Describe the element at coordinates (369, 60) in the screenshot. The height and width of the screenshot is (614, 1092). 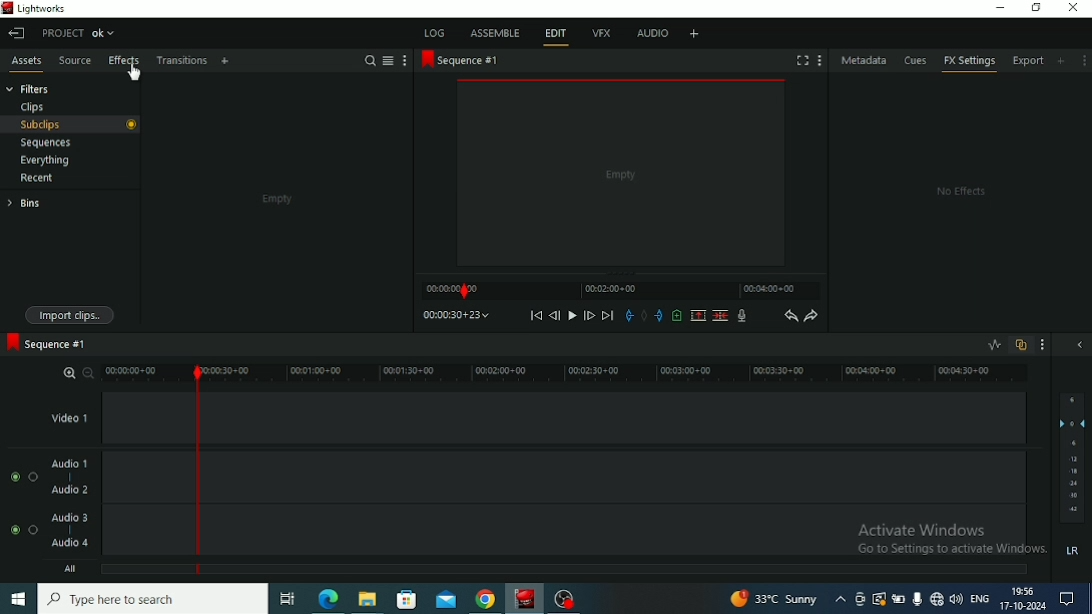
I see `Search` at that location.